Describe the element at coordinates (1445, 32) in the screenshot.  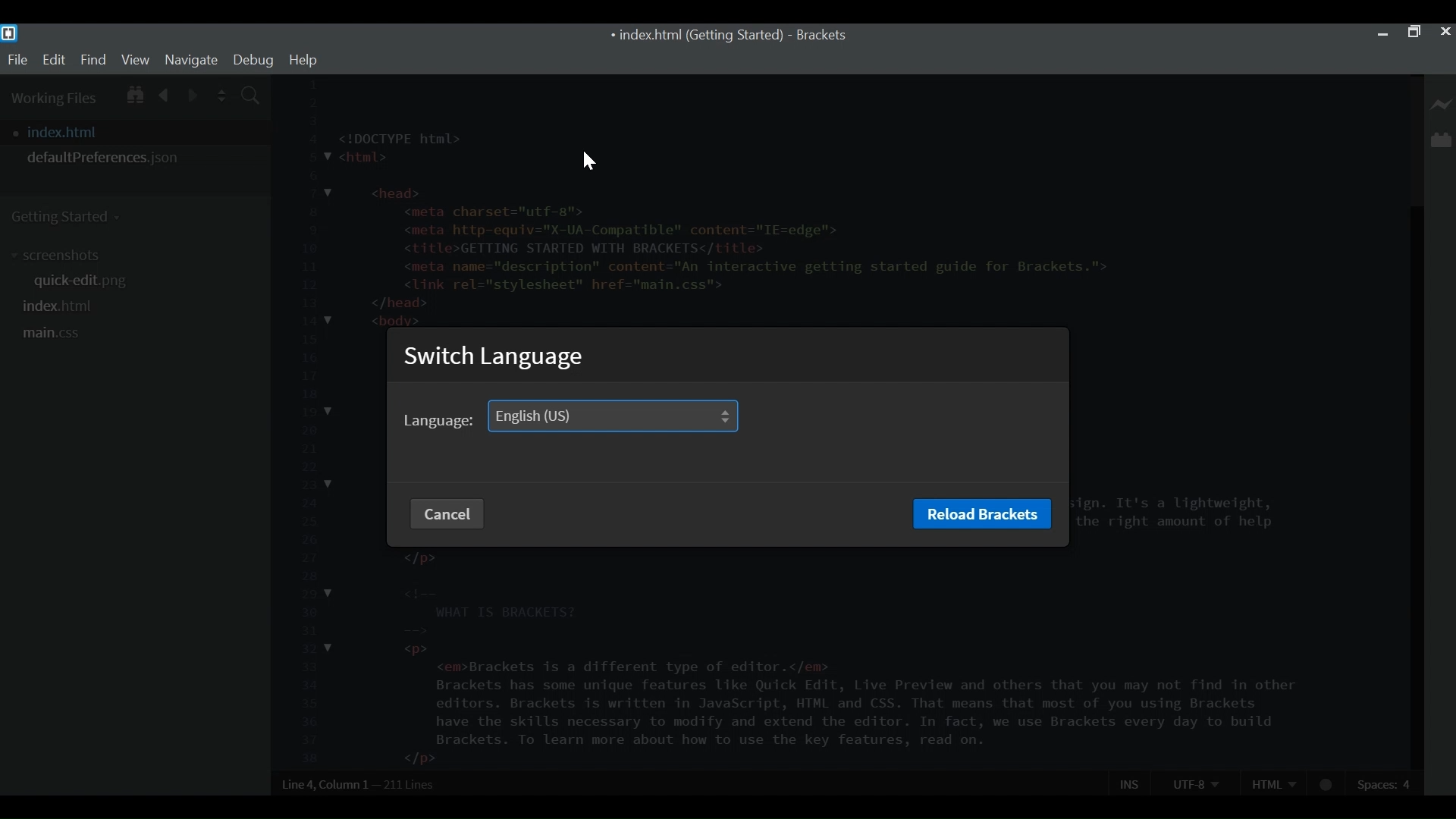
I see `Close` at that location.